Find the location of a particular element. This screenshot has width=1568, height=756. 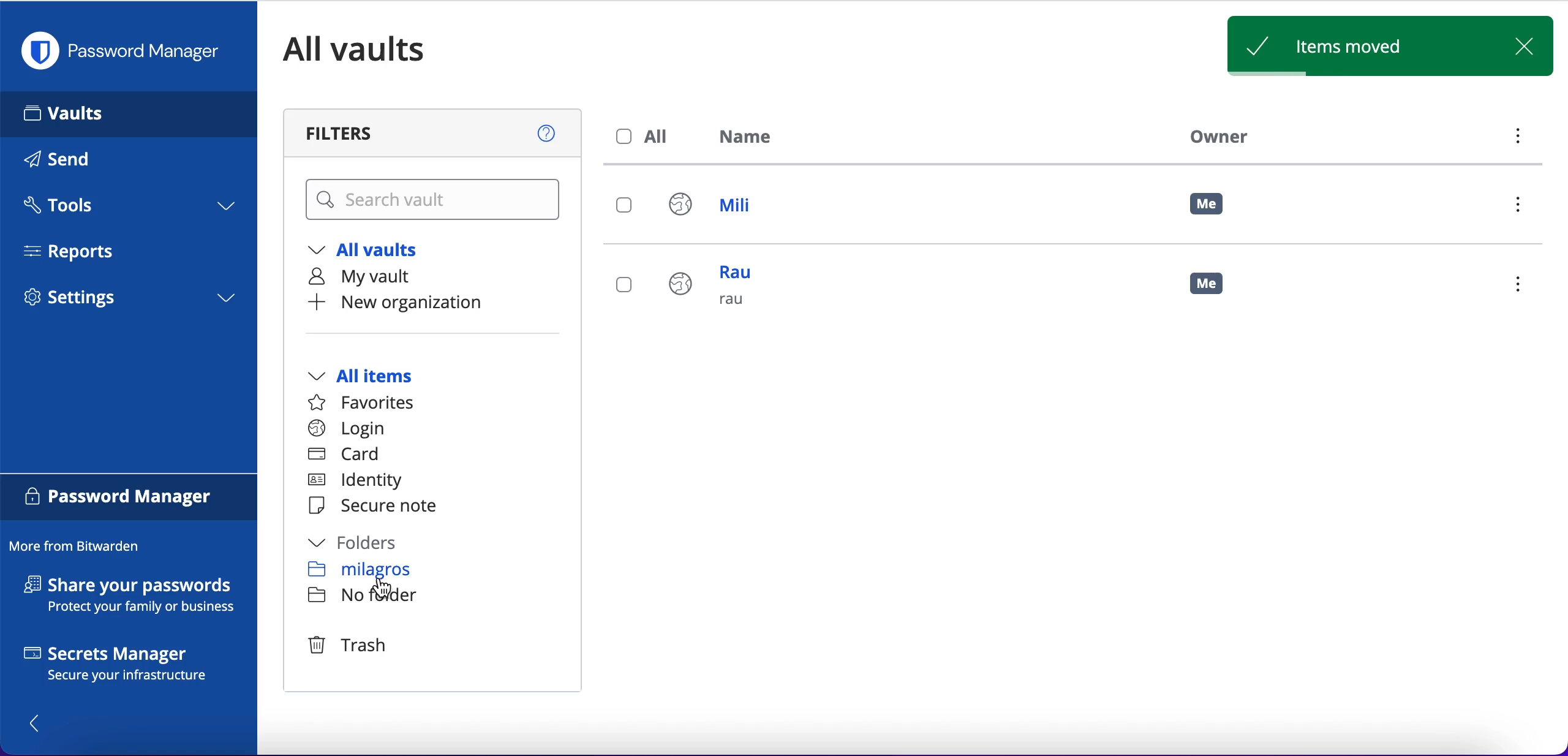

me is located at coordinates (1216, 289).